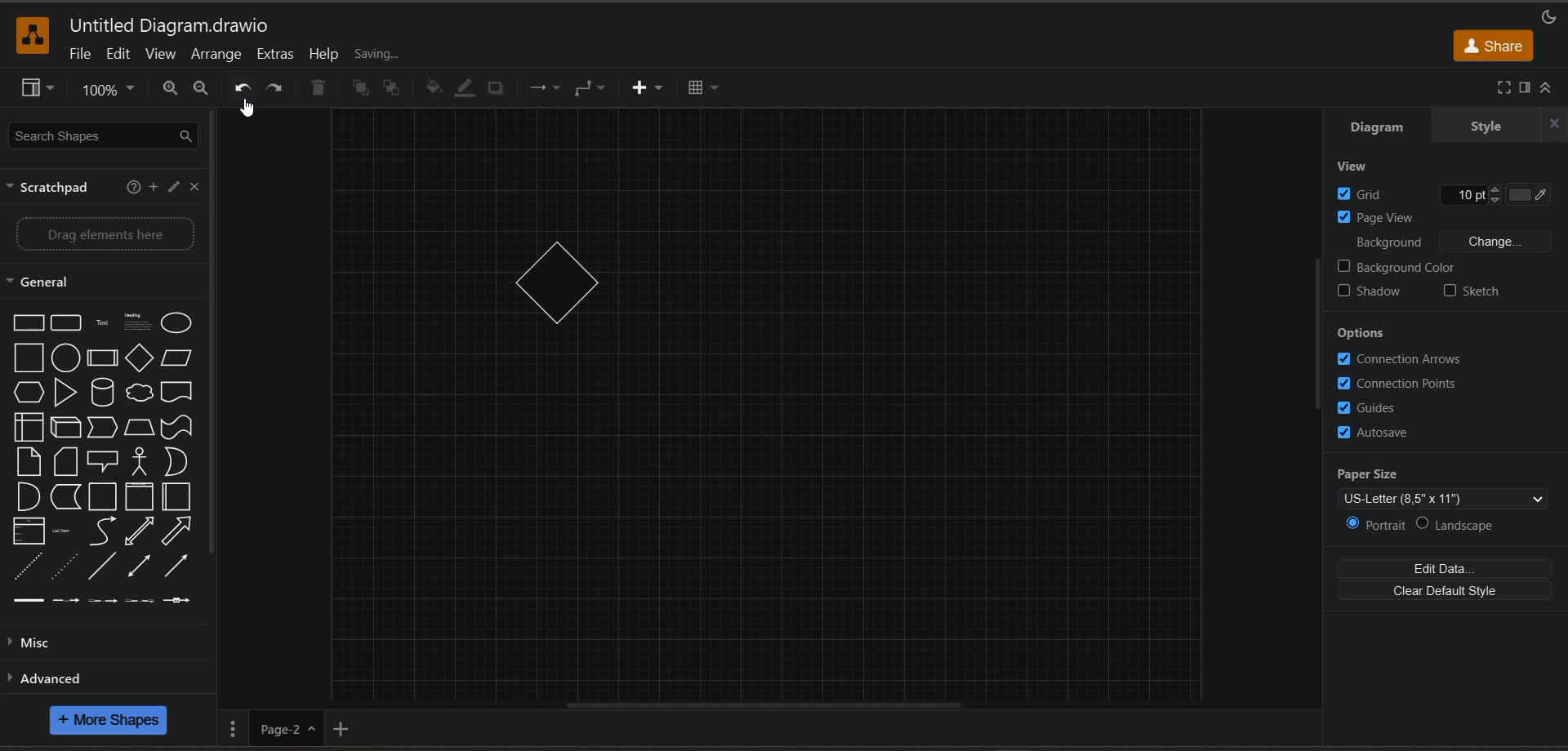  I want to click on Connector with Icon Symbol, so click(177, 600).